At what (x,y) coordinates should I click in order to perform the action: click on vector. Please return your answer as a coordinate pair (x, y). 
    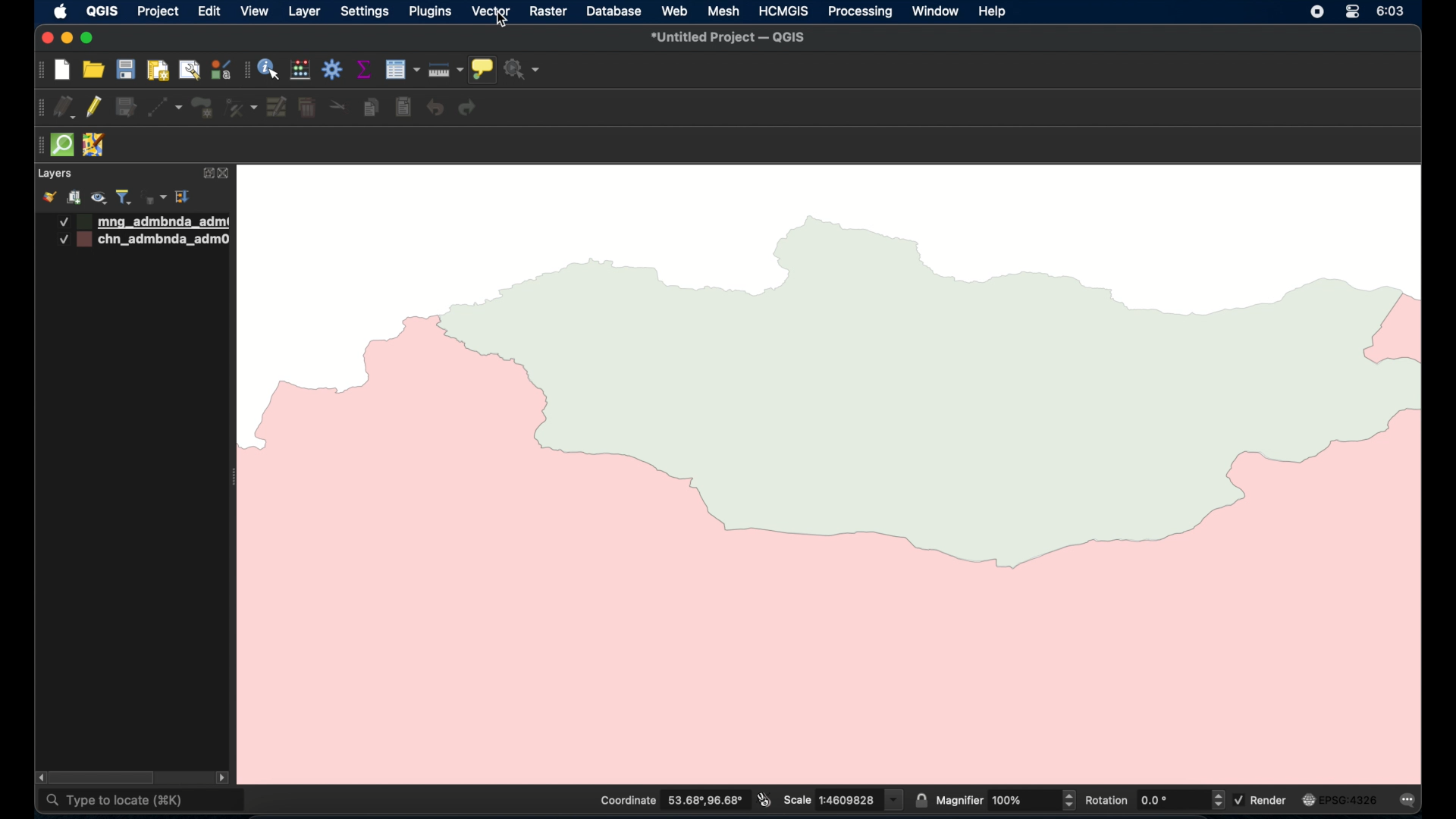
    Looking at the image, I should click on (491, 12).